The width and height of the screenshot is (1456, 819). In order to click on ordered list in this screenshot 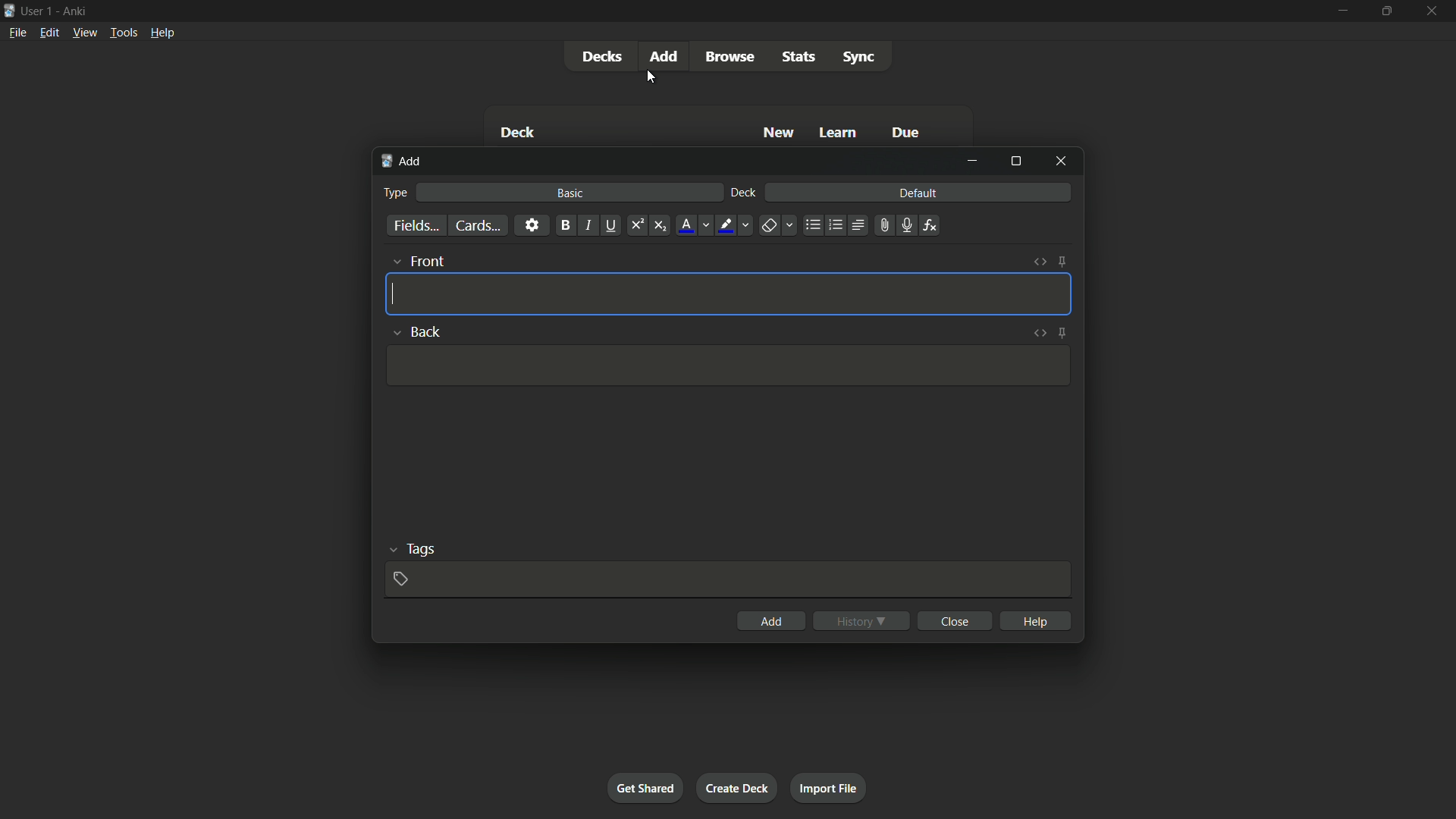, I will do `click(836, 225)`.